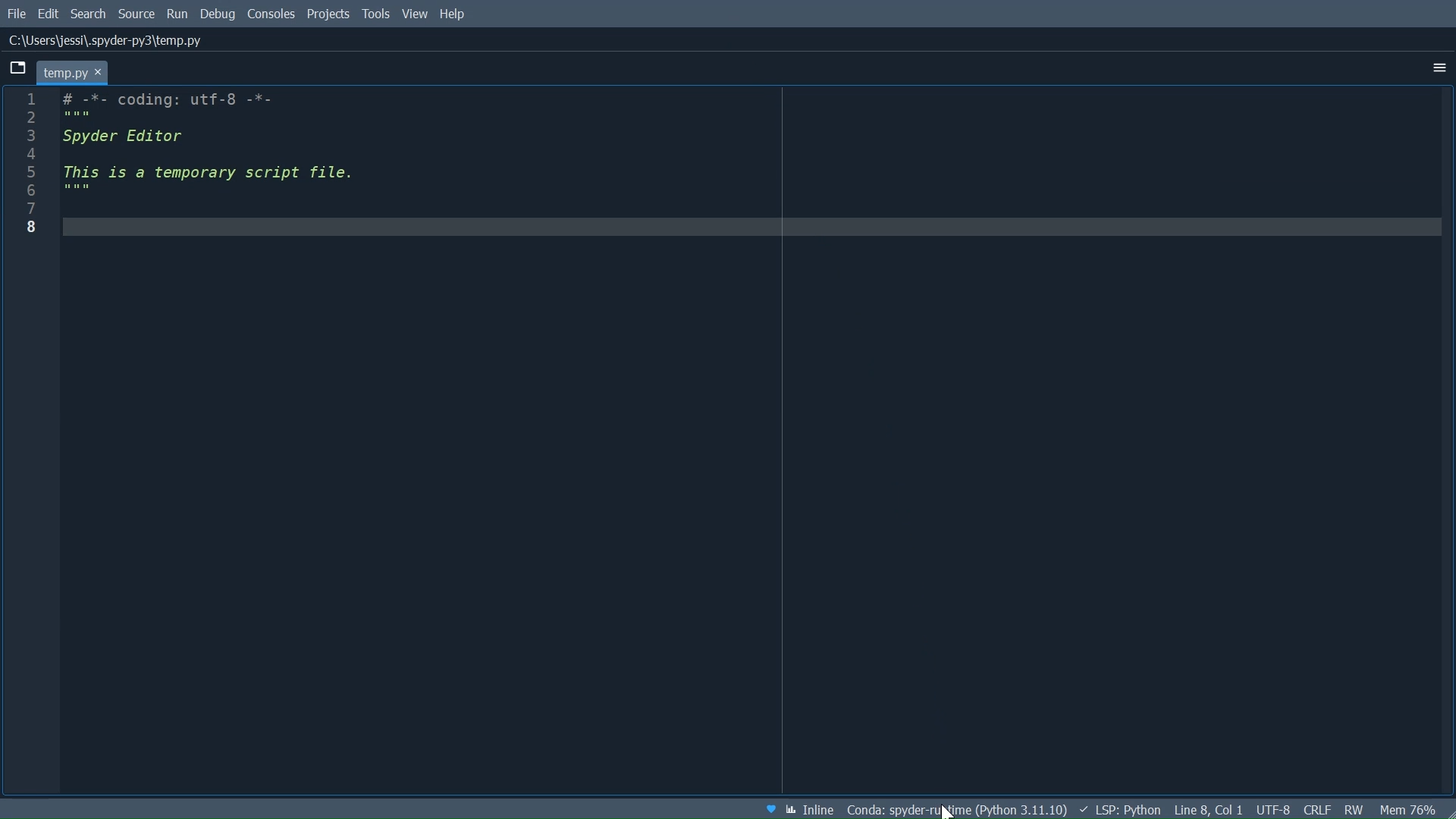 The image size is (1456, 819). I want to click on Edit, so click(48, 13).